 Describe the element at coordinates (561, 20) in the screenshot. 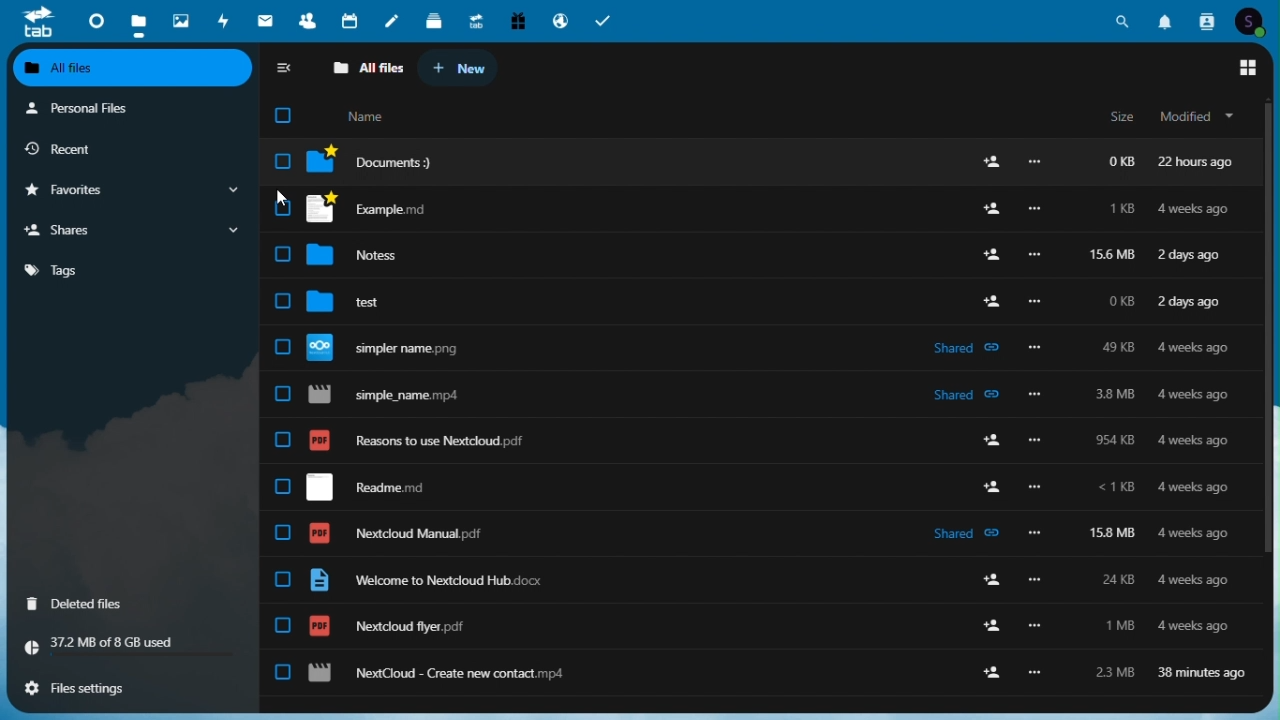

I see `email hosting` at that location.